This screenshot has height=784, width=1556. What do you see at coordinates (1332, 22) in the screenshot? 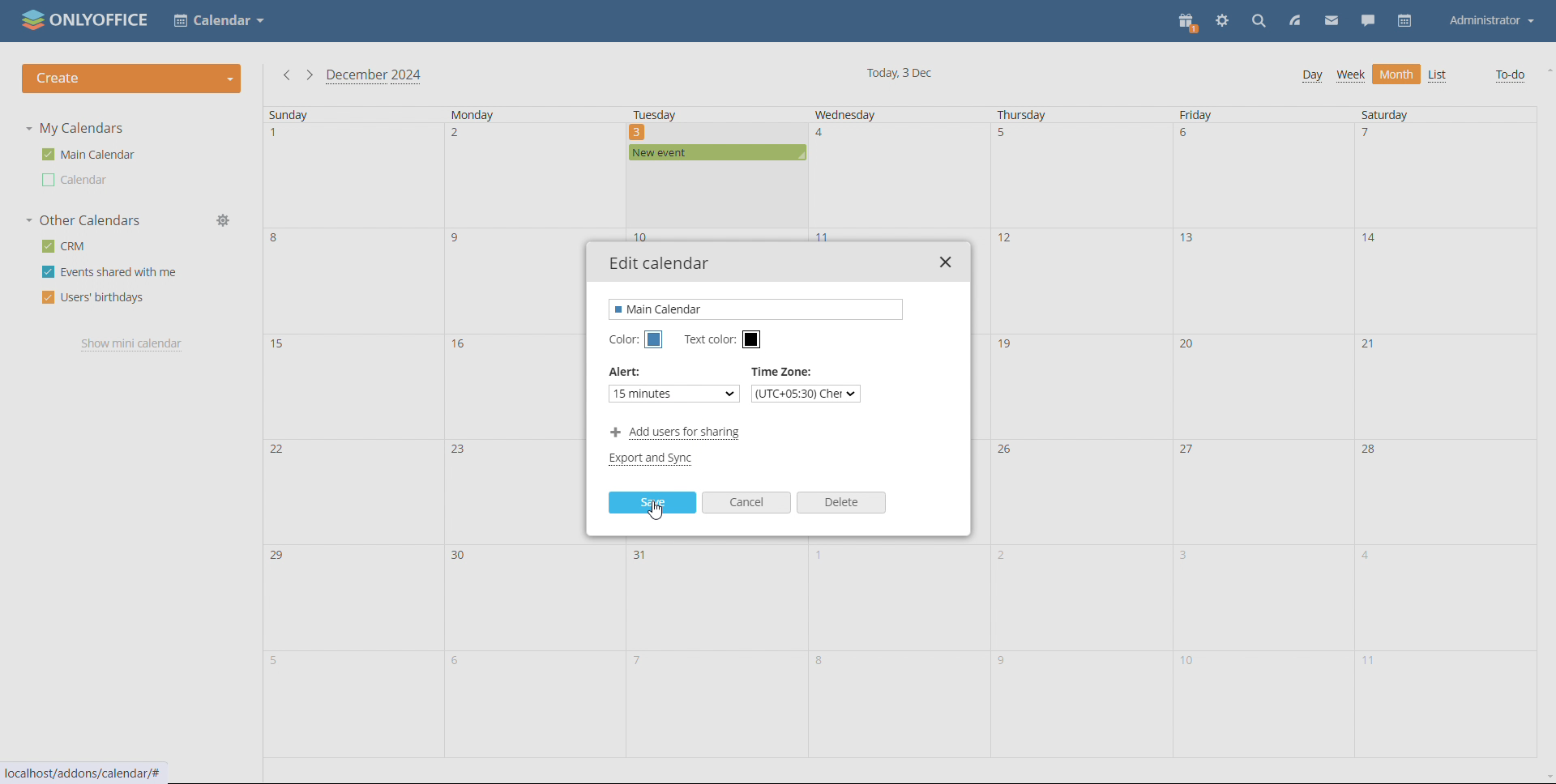
I see `mail` at bounding box center [1332, 22].